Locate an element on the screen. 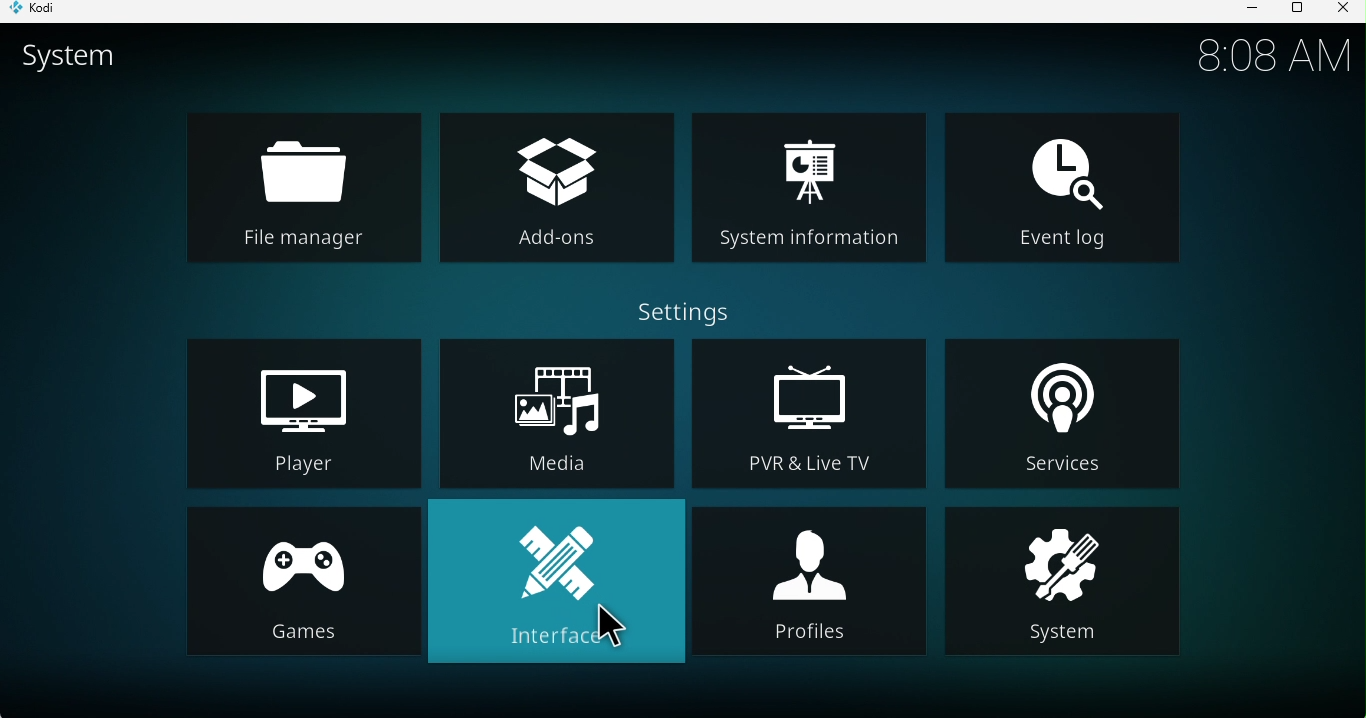  December is located at coordinates (809, 411).